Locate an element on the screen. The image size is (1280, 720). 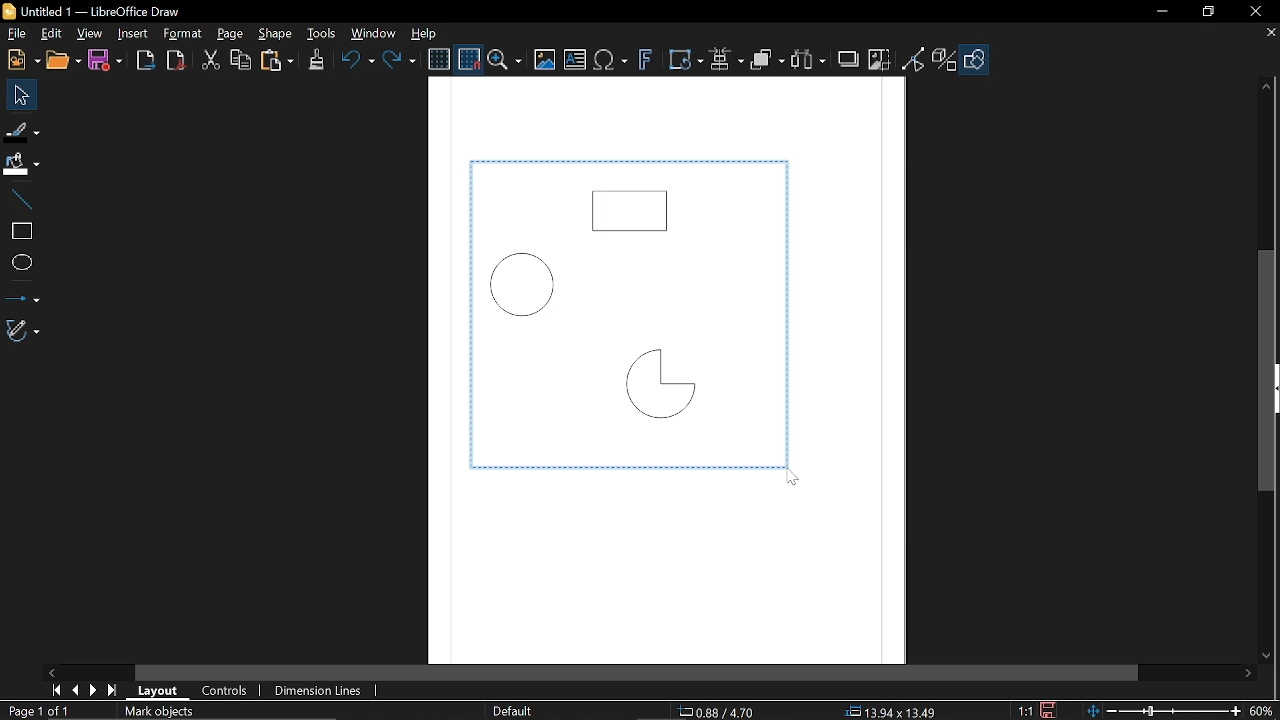
Dimension lines is located at coordinates (319, 691).